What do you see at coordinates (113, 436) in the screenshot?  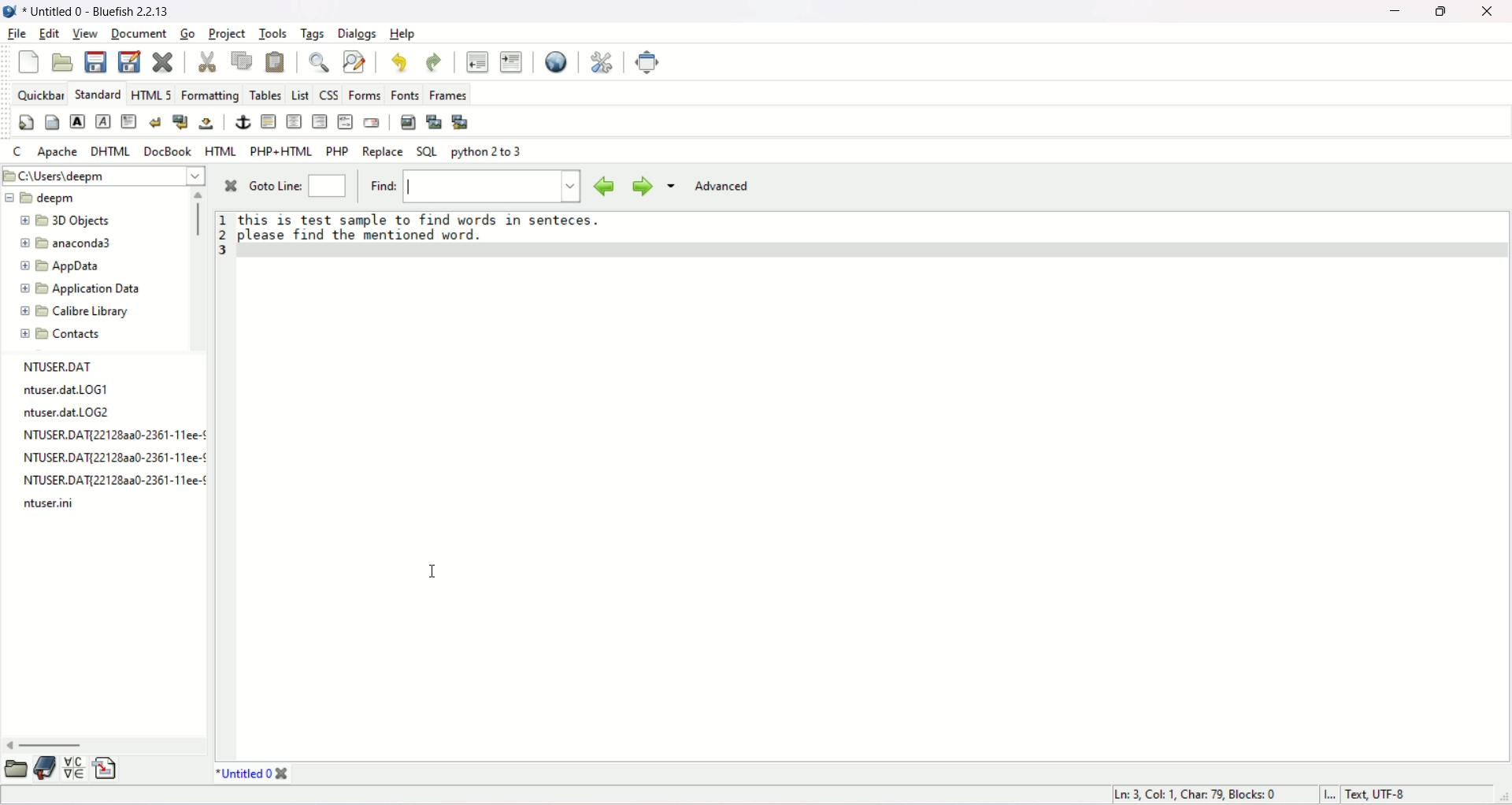 I see `NTUSER.DAT{221282a0-2361-11ee-¢` at bounding box center [113, 436].